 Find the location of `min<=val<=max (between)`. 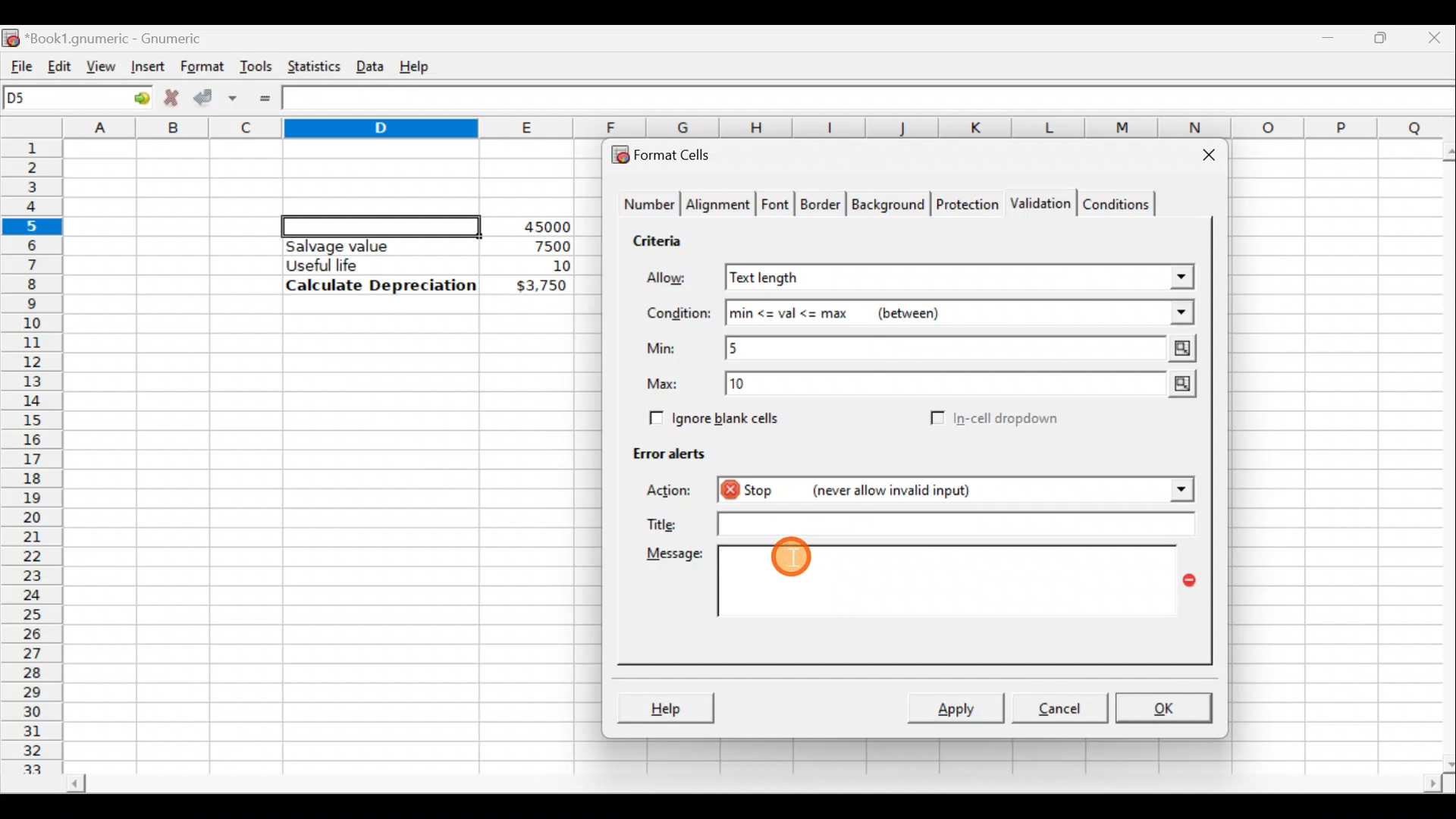

min<=val<=max (between) is located at coordinates (960, 313).